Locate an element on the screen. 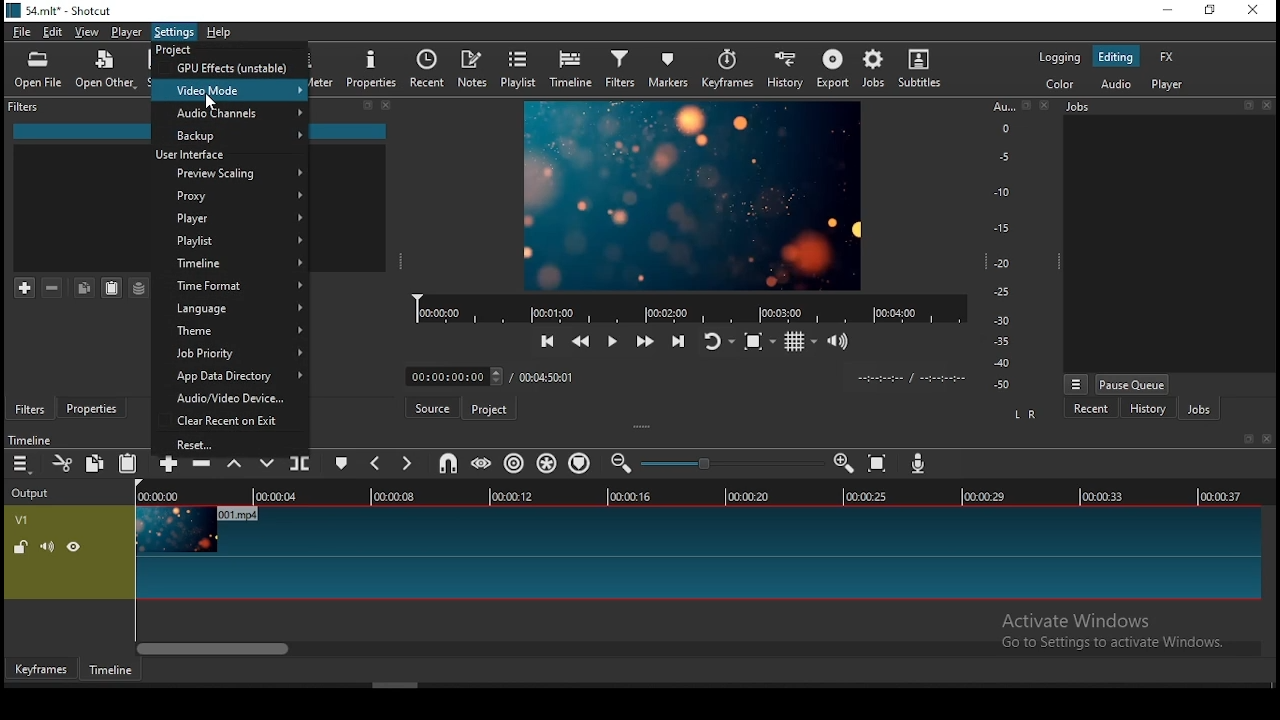 This screenshot has width=1280, height=720. add filter is located at coordinates (25, 289).